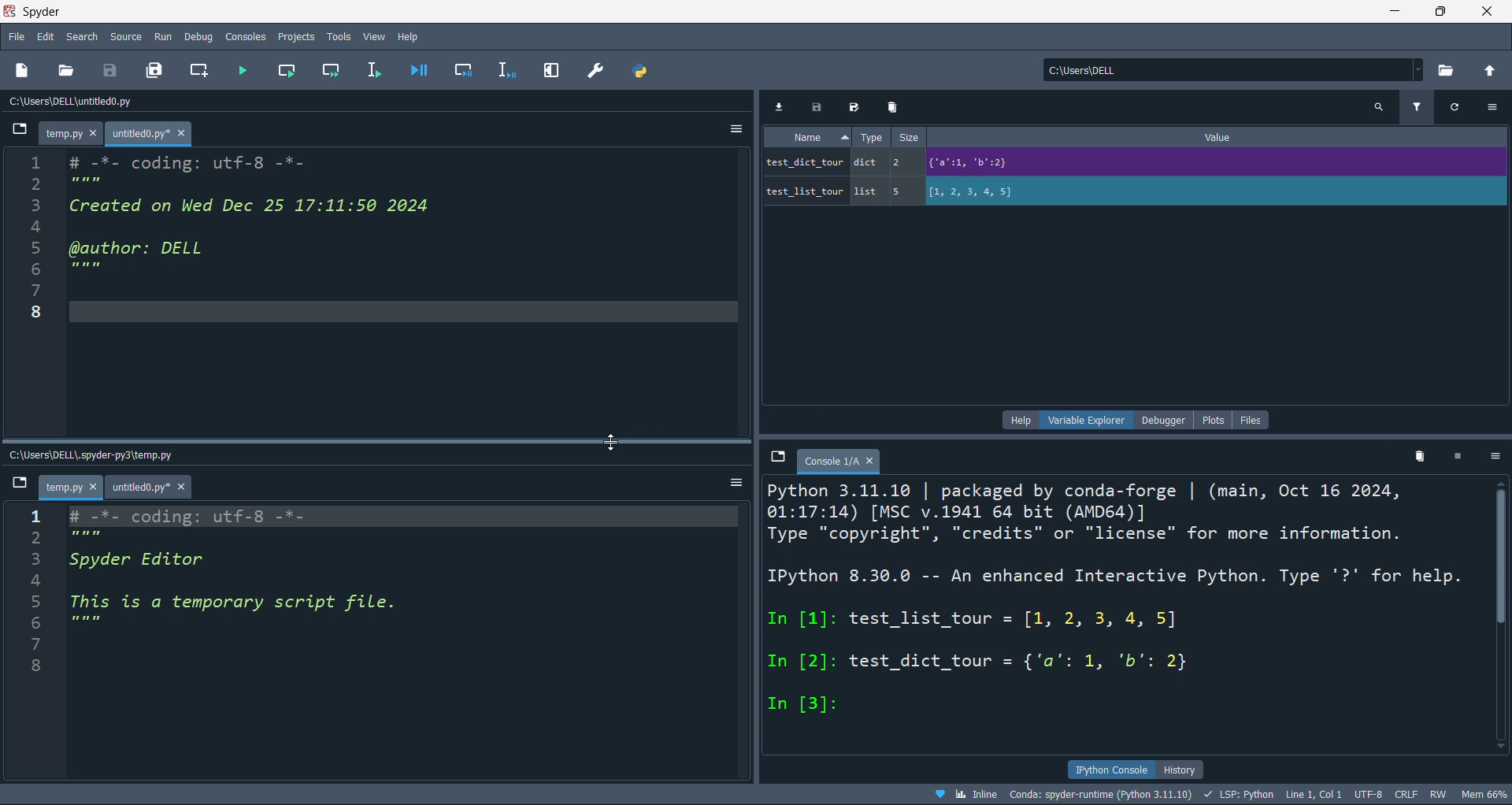 The height and width of the screenshot is (805, 1512). Describe the element at coordinates (1417, 458) in the screenshot. I see `delete` at that location.